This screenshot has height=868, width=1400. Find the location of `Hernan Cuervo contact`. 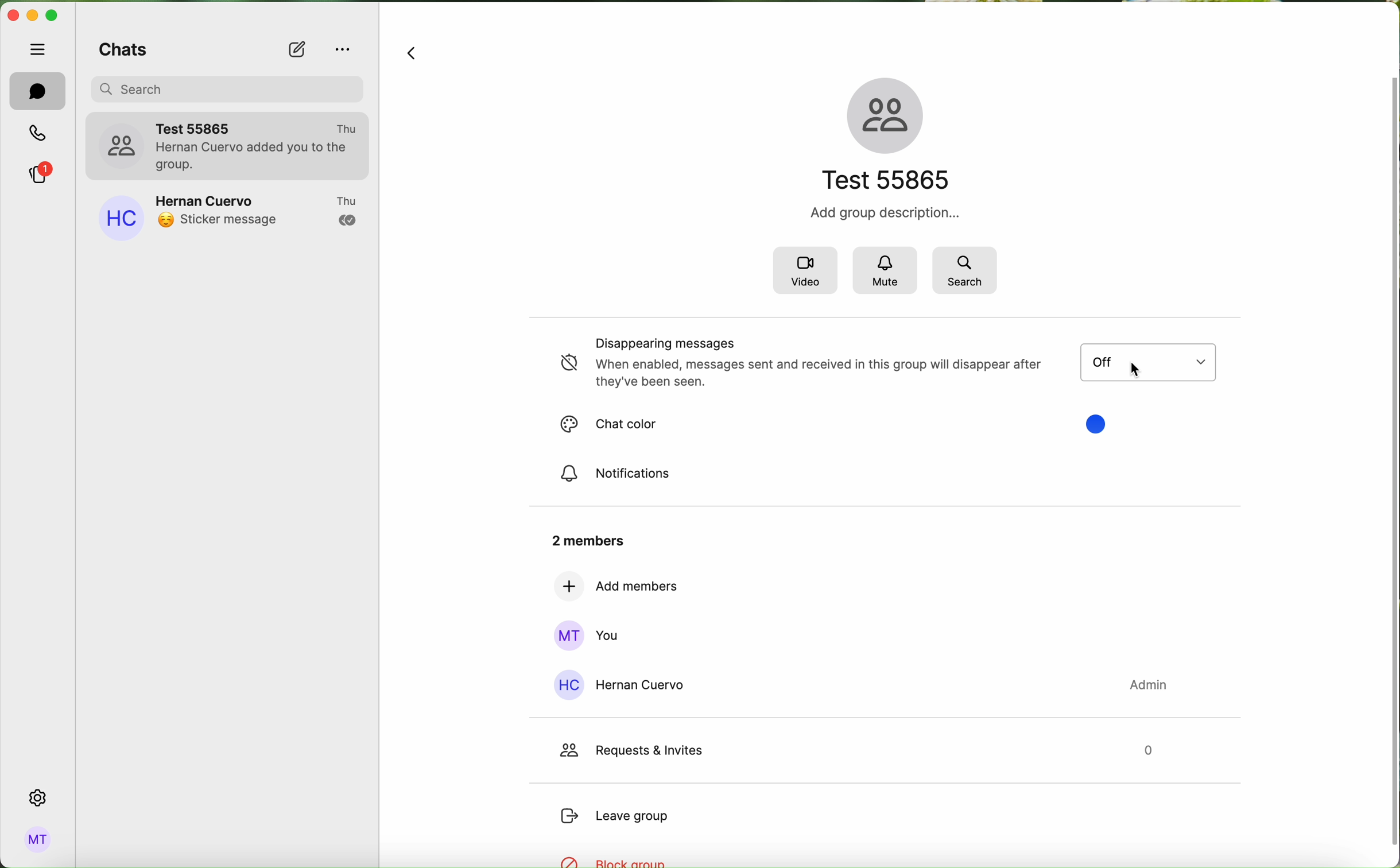

Hernan Cuervo contact is located at coordinates (858, 687).